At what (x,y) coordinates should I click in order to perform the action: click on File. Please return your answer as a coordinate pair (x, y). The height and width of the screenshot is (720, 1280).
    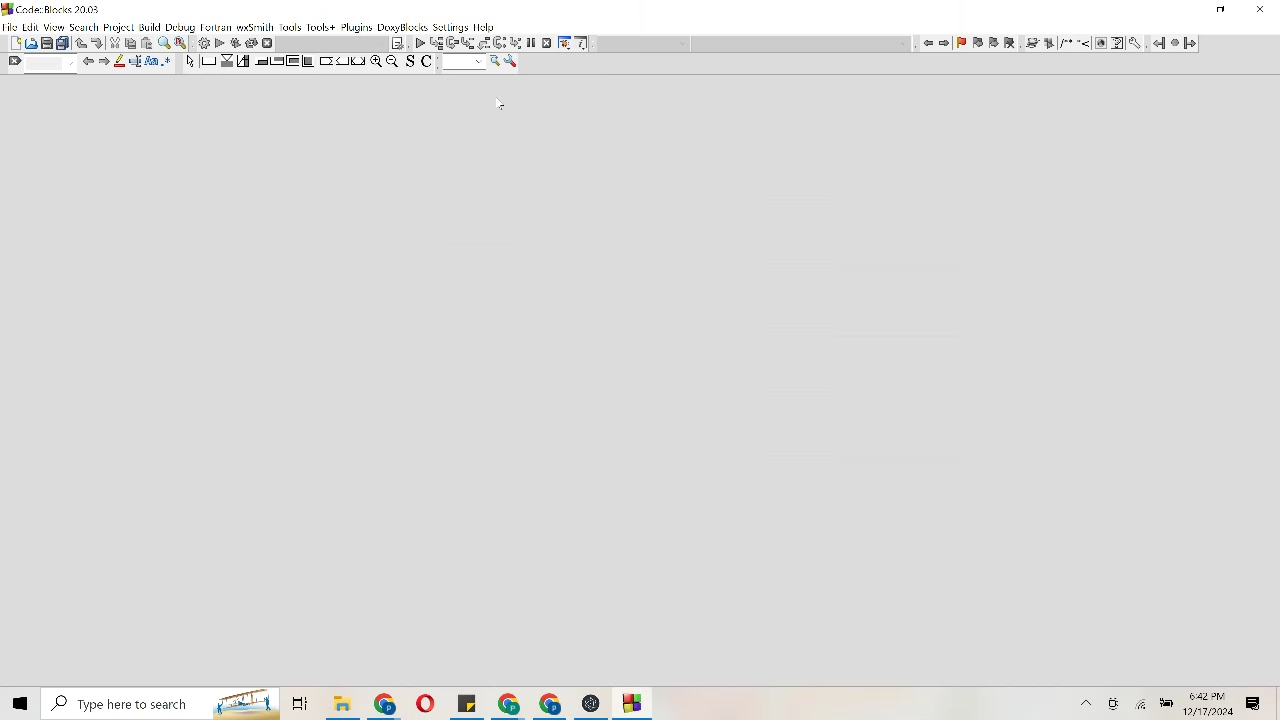
    Looking at the image, I should click on (467, 703).